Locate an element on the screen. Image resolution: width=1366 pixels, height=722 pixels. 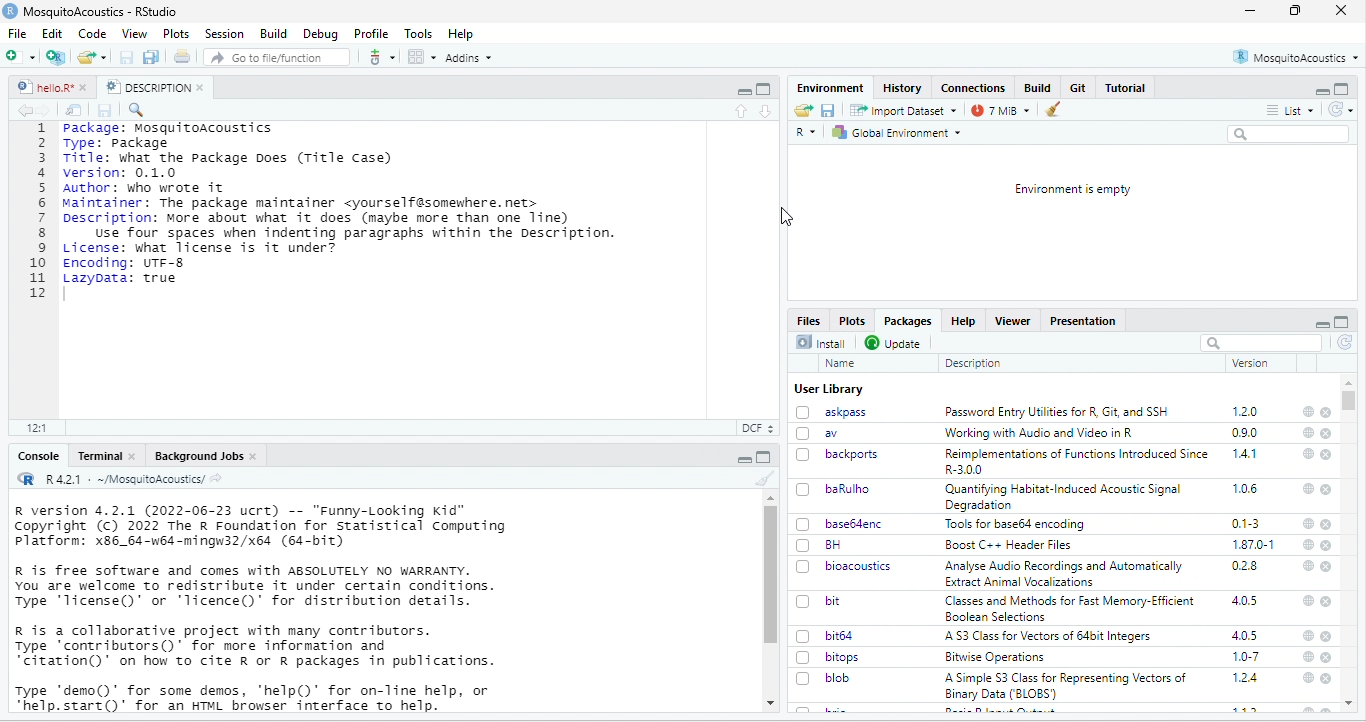
open an existing file is located at coordinates (93, 56).